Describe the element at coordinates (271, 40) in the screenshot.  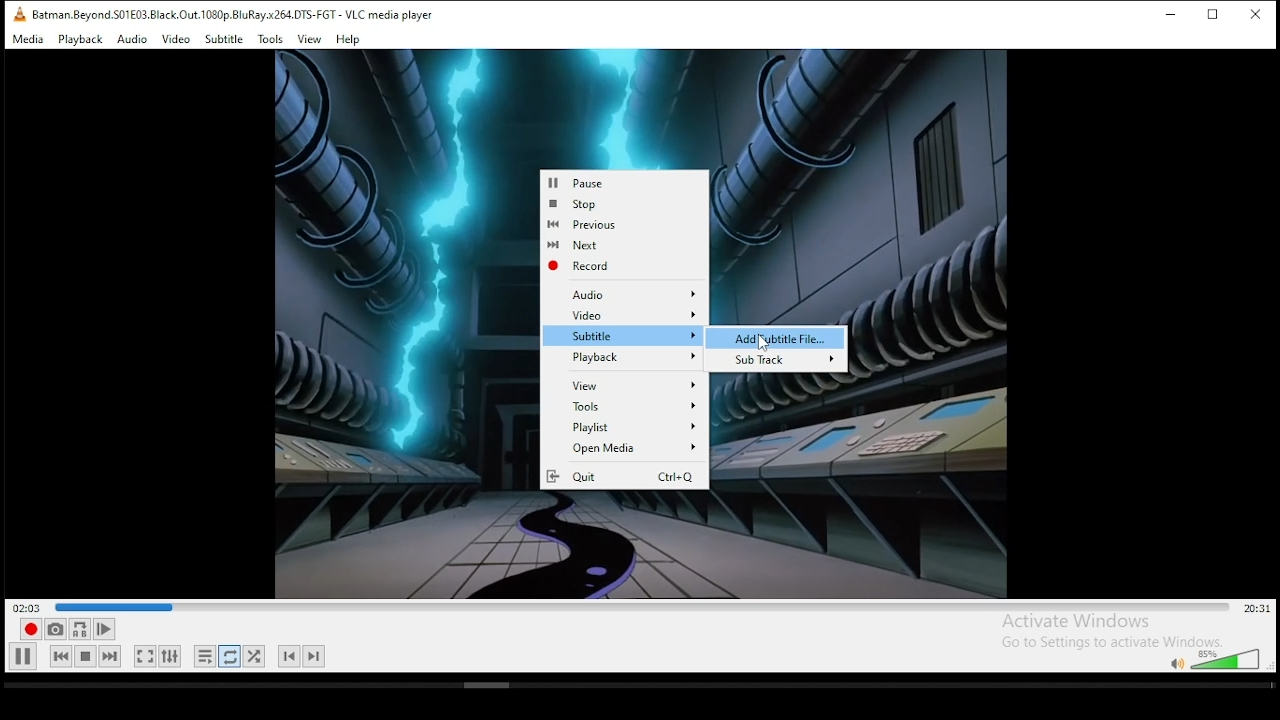
I see `tools` at that location.